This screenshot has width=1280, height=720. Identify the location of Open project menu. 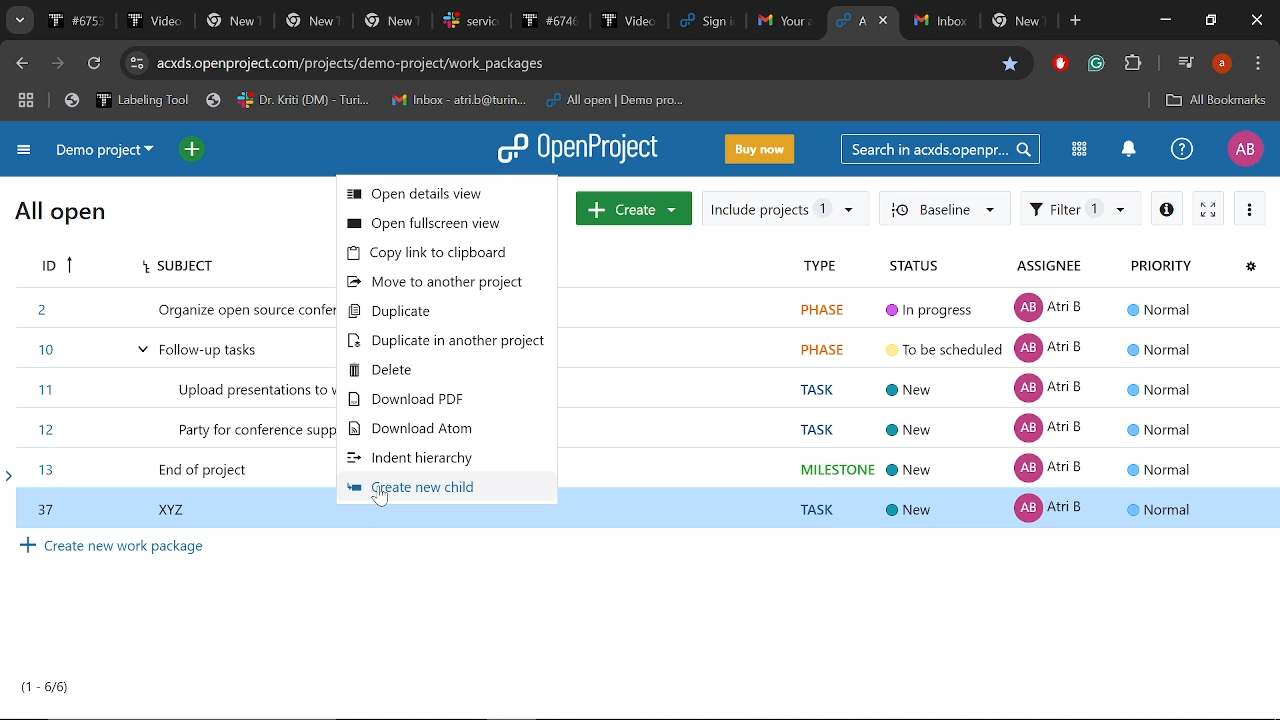
(579, 149).